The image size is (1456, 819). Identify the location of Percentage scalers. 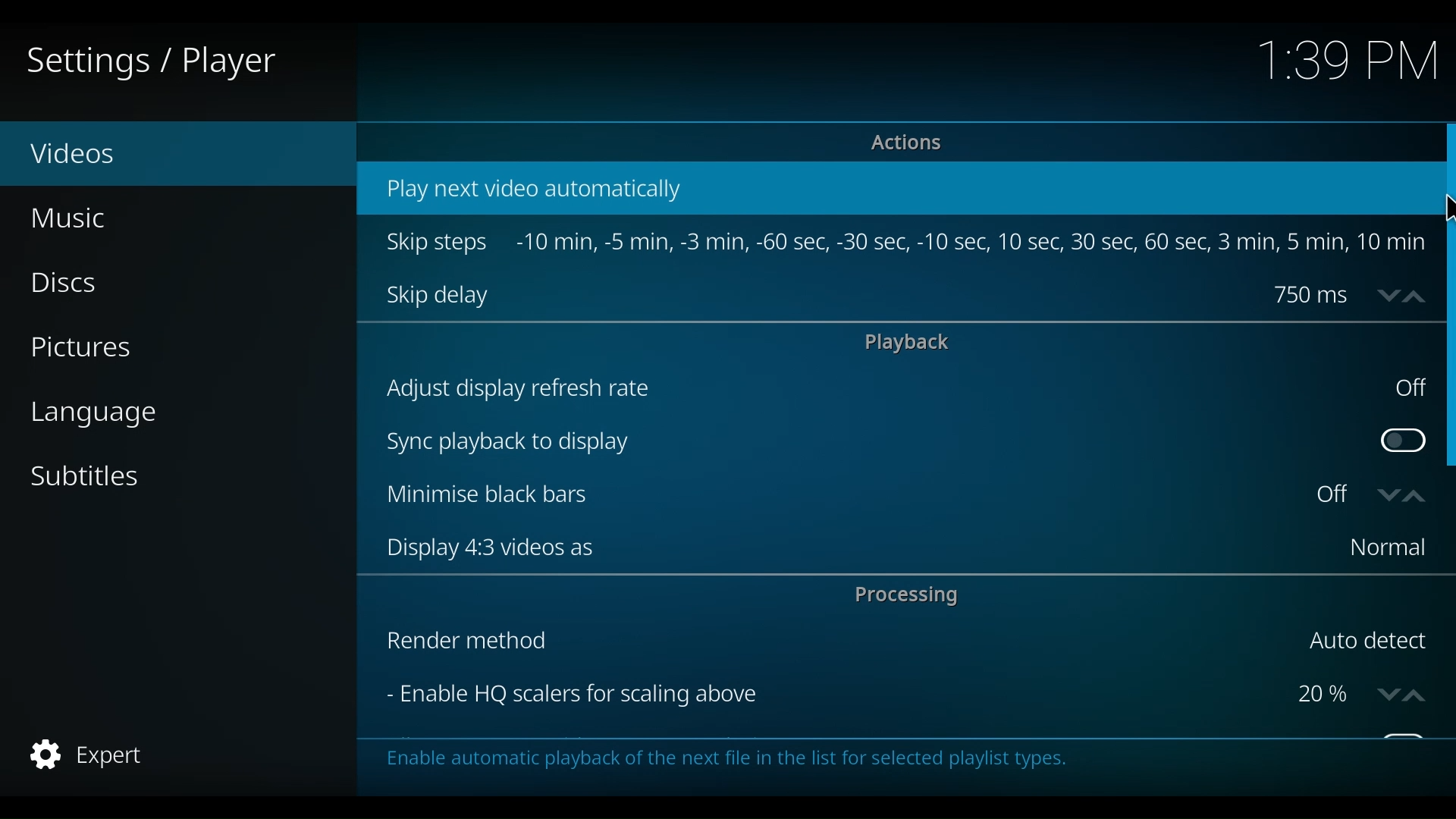
(1325, 695).